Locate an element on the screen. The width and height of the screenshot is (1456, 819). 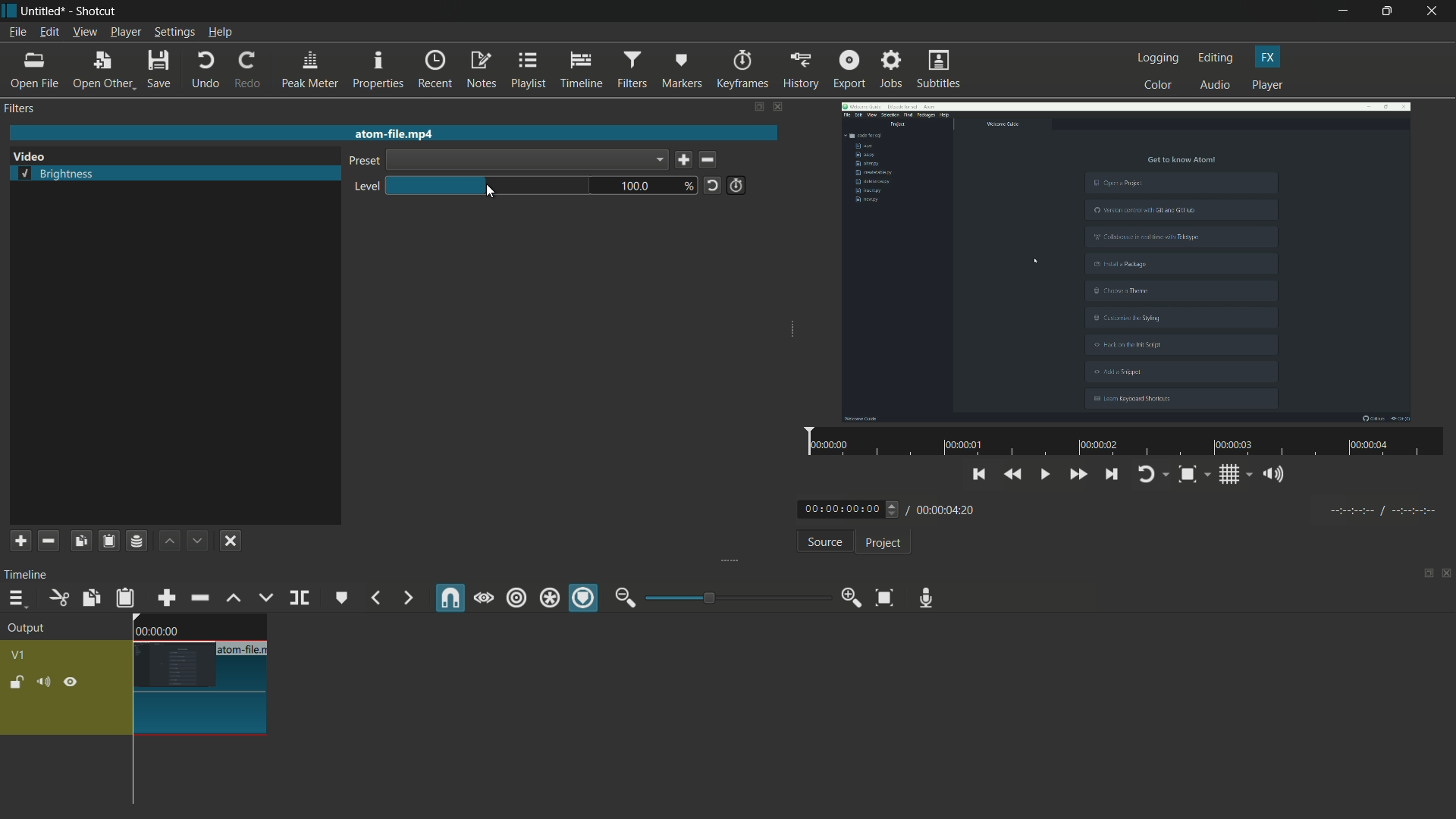
dropdown is located at coordinates (526, 160).